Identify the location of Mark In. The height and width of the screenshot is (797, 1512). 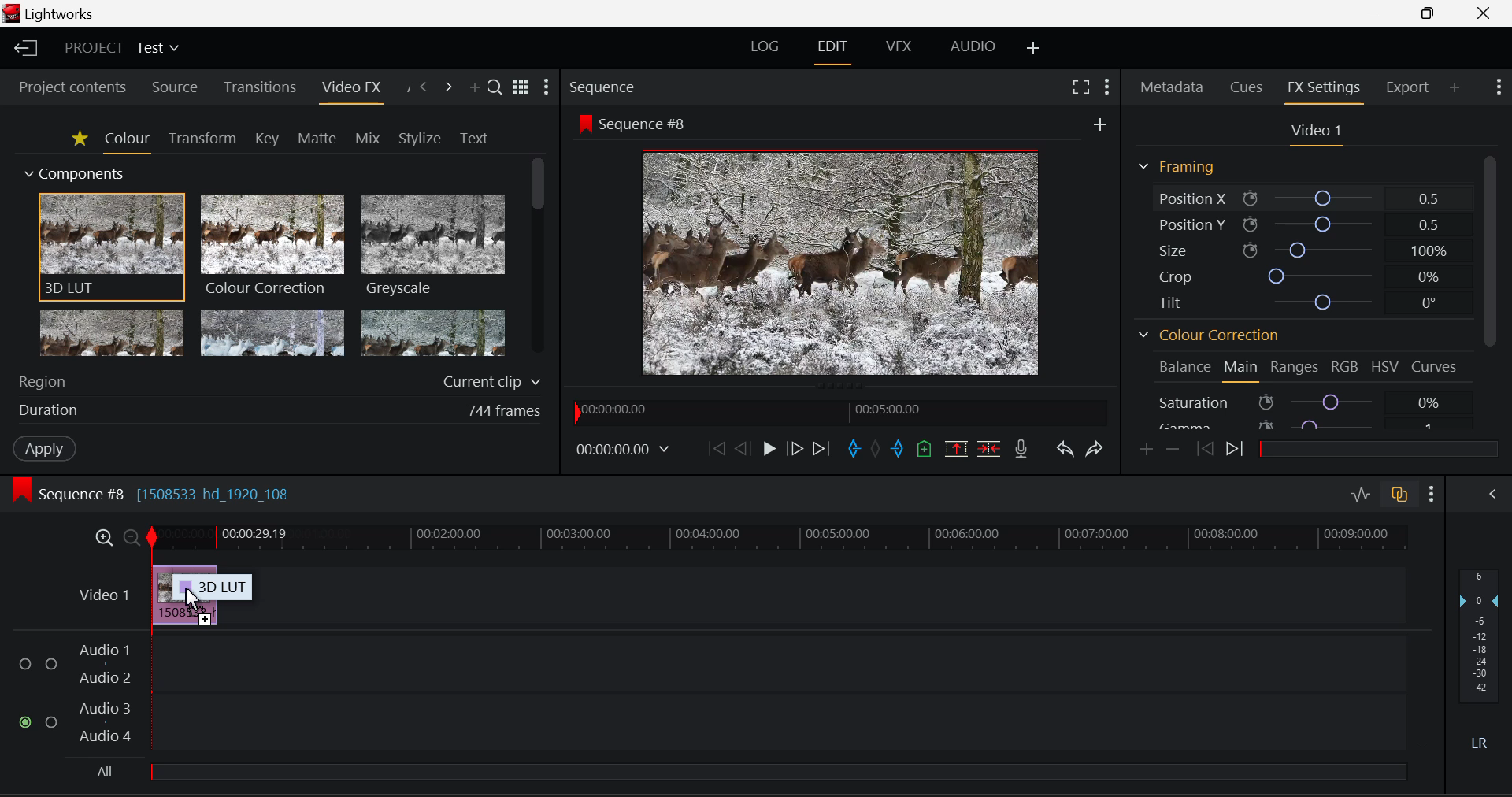
(854, 450).